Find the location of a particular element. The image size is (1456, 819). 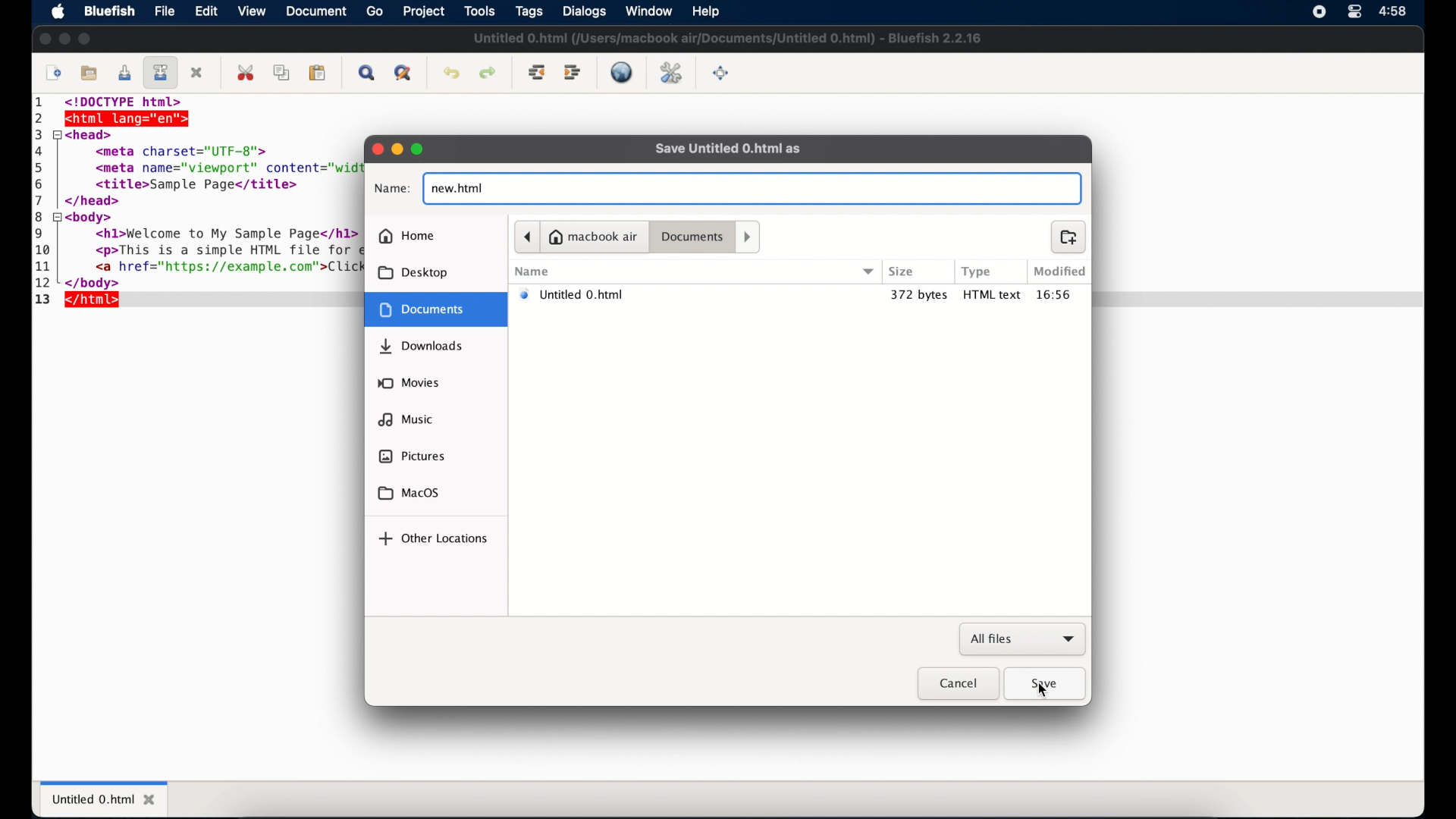

save is located at coordinates (1043, 684).